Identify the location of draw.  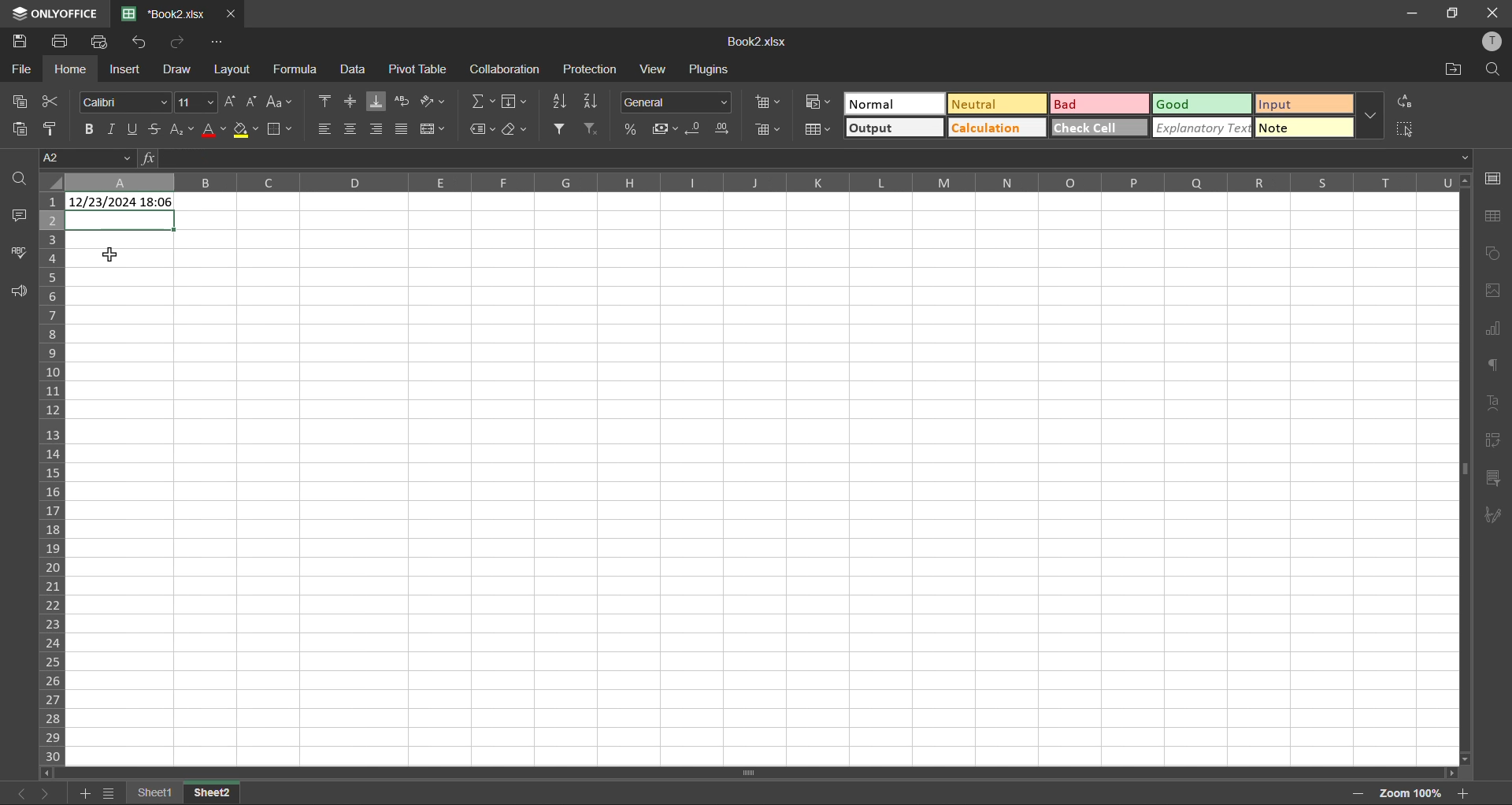
(176, 72).